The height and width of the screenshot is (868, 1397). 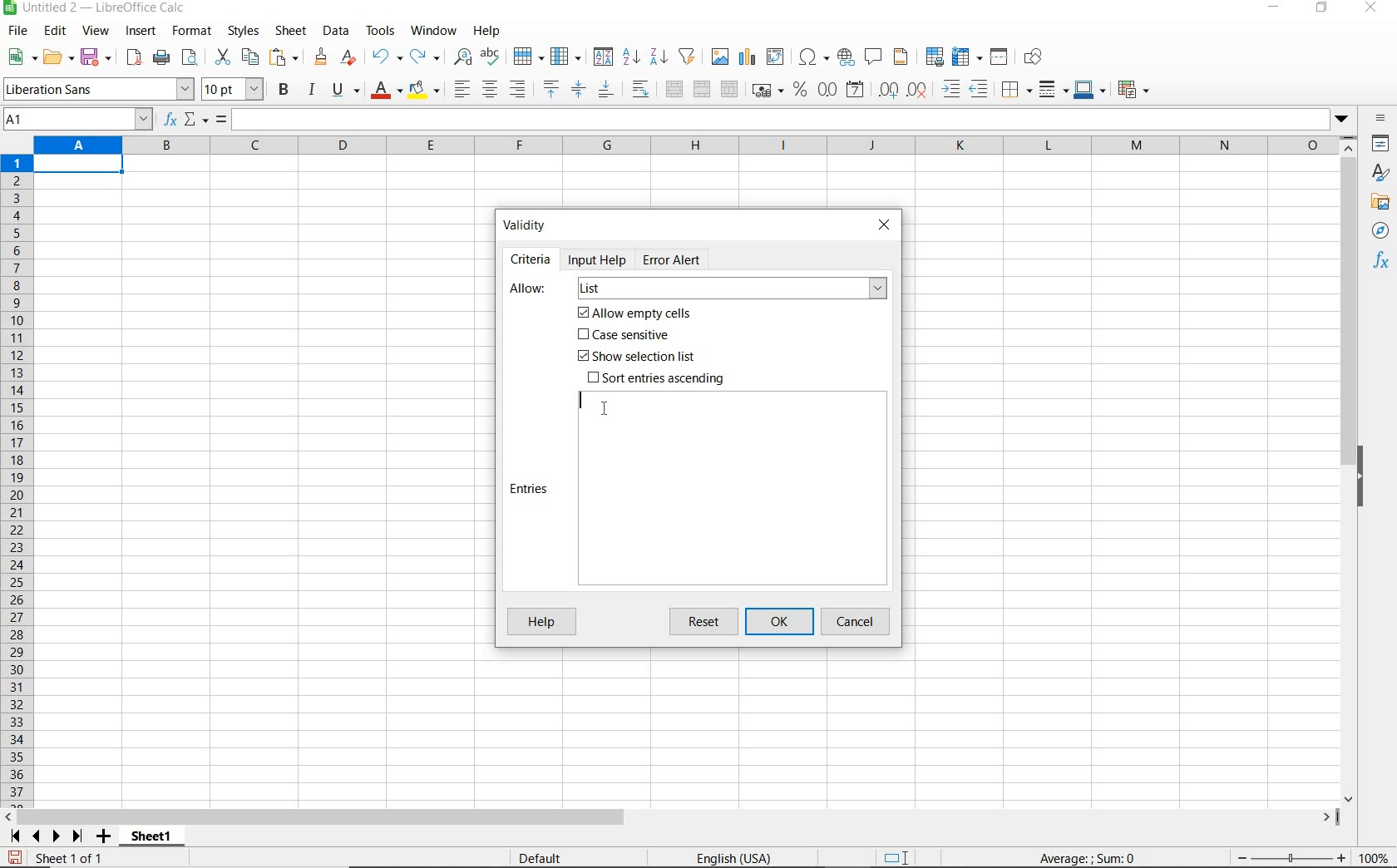 I want to click on border style, so click(x=1054, y=89).